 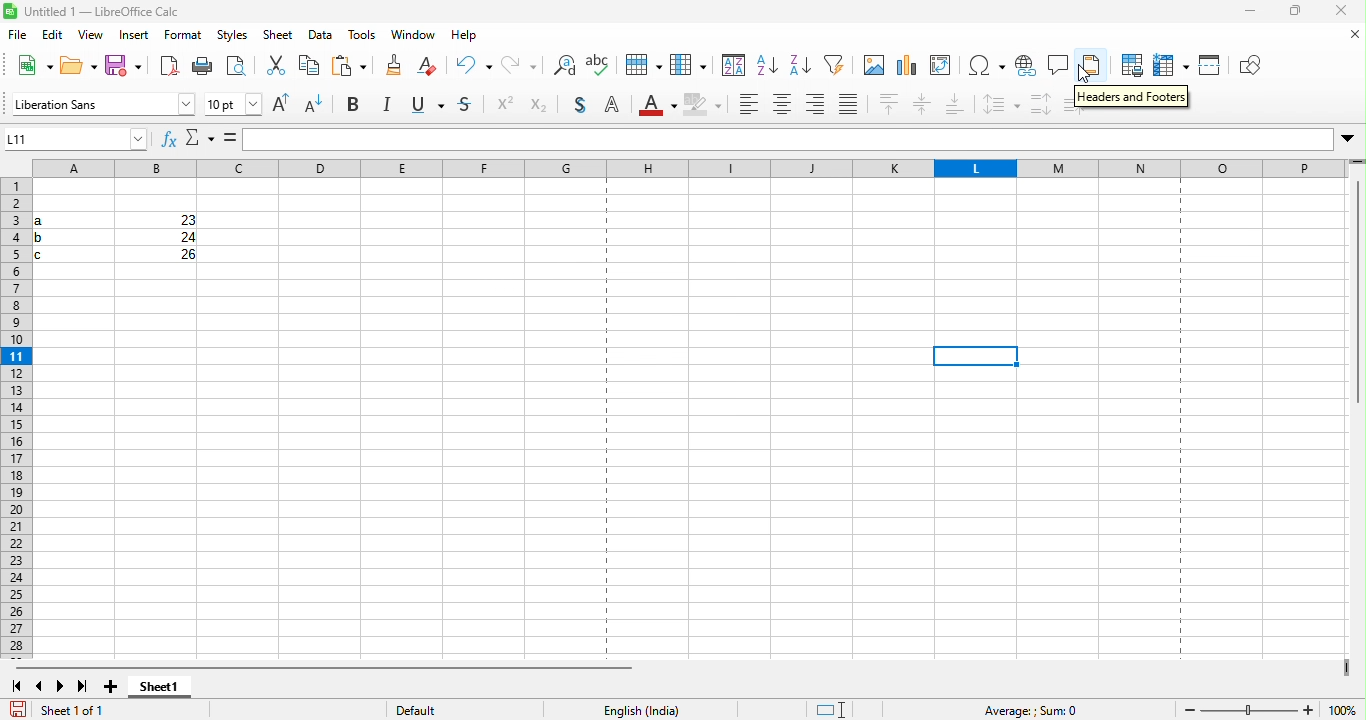 What do you see at coordinates (113, 239) in the screenshot?
I see `cells` at bounding box center [113, 239].